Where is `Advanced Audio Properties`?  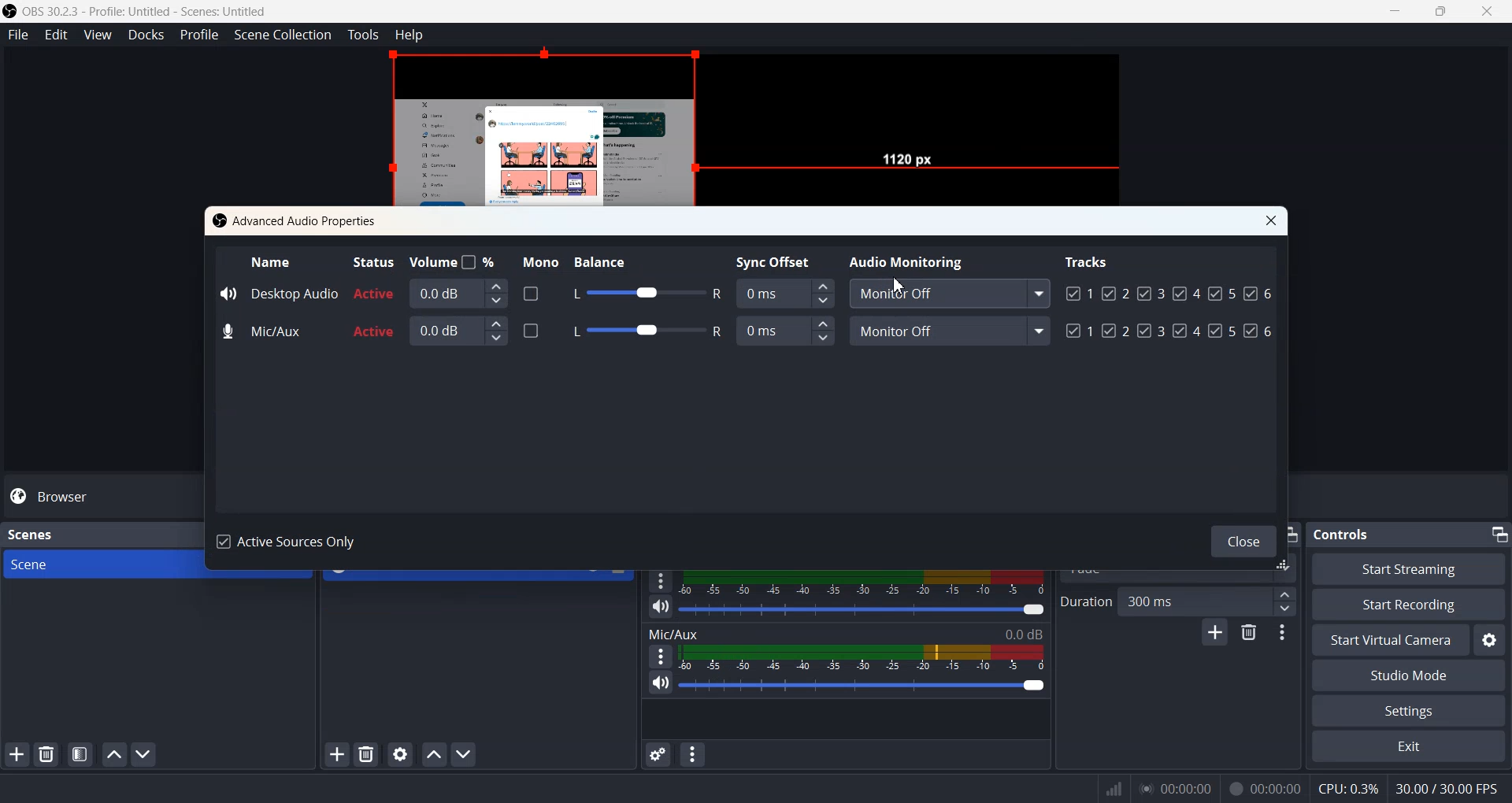
Advanced Audio Properties is located at coordinates (298, 220).